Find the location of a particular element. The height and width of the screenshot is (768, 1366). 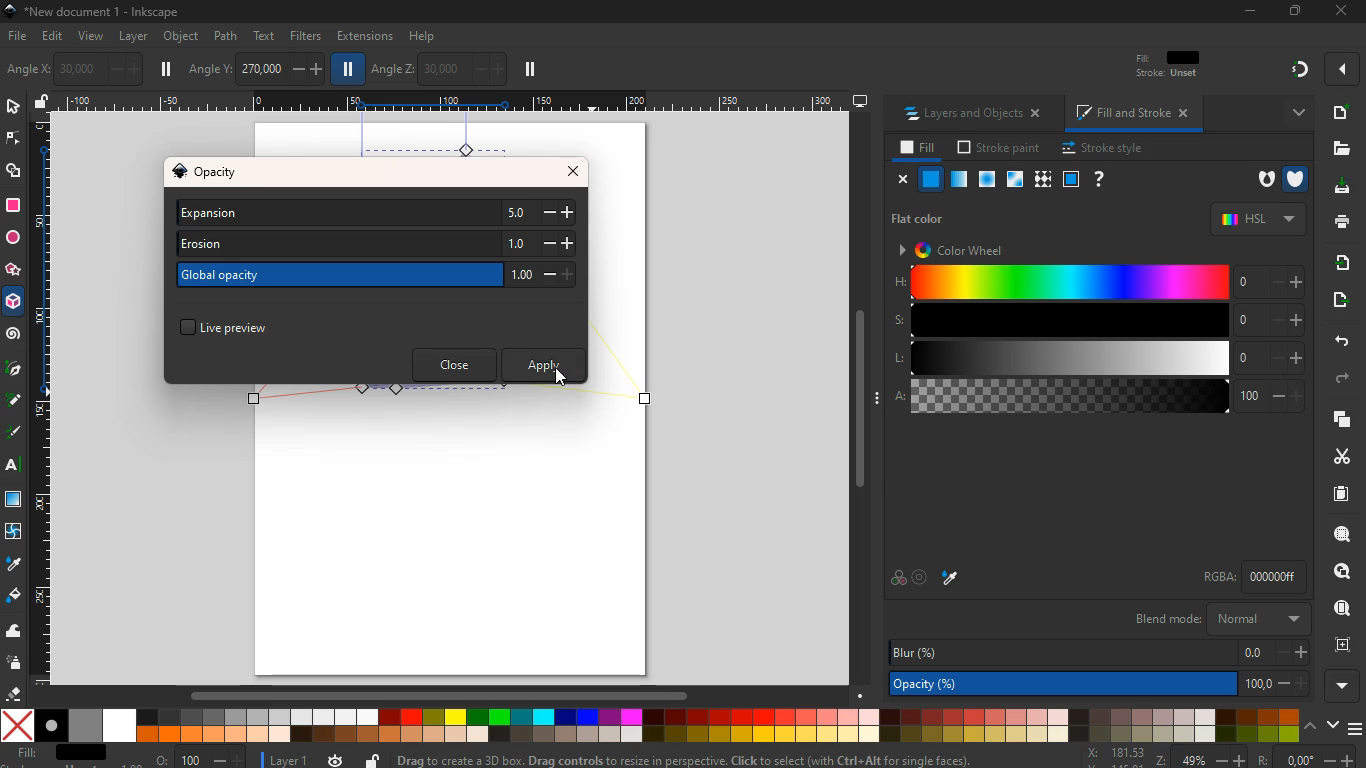

pic is located at coordinates (13, 370).